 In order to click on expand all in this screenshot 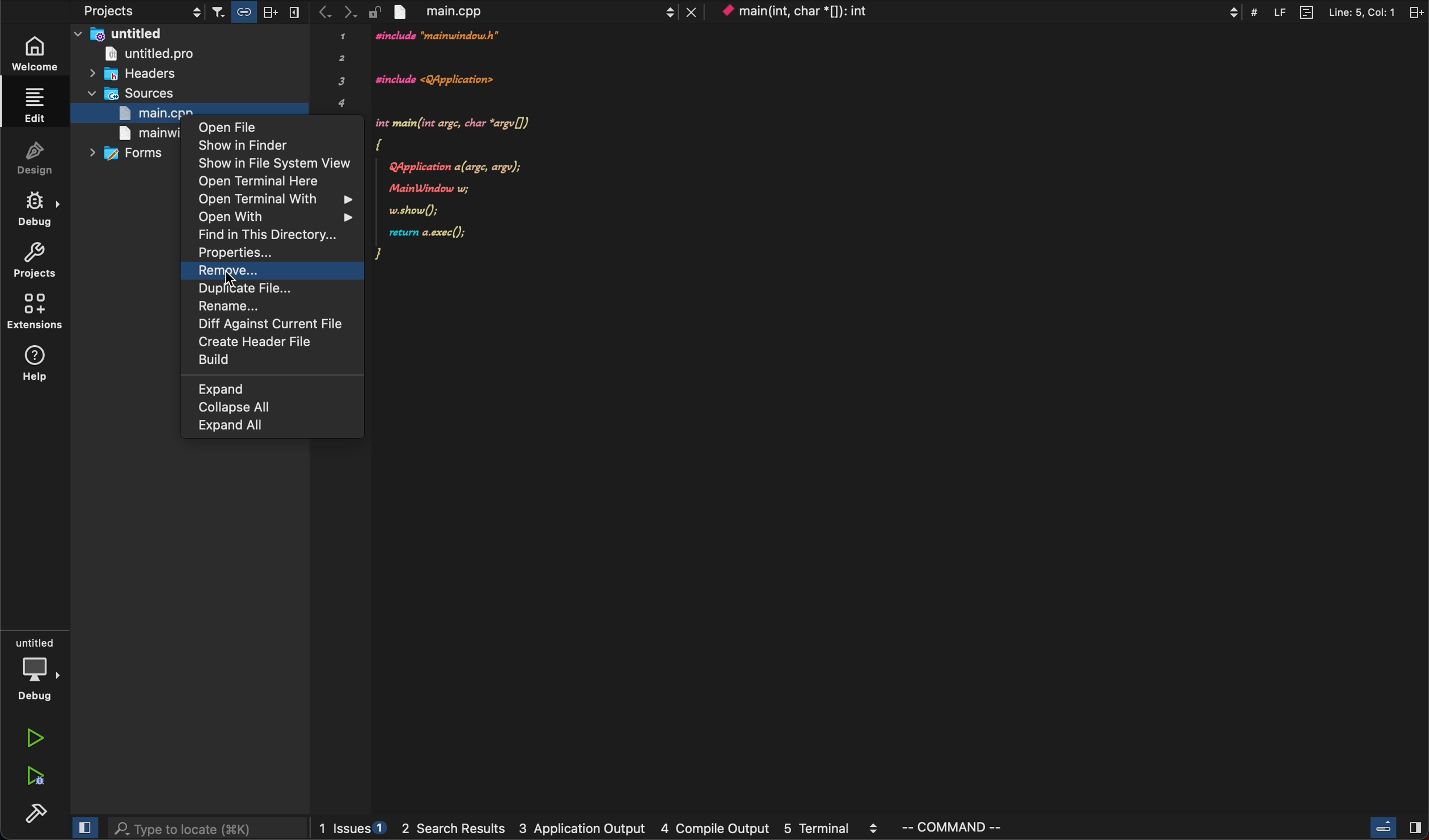, I will do `click(230, 427)`.